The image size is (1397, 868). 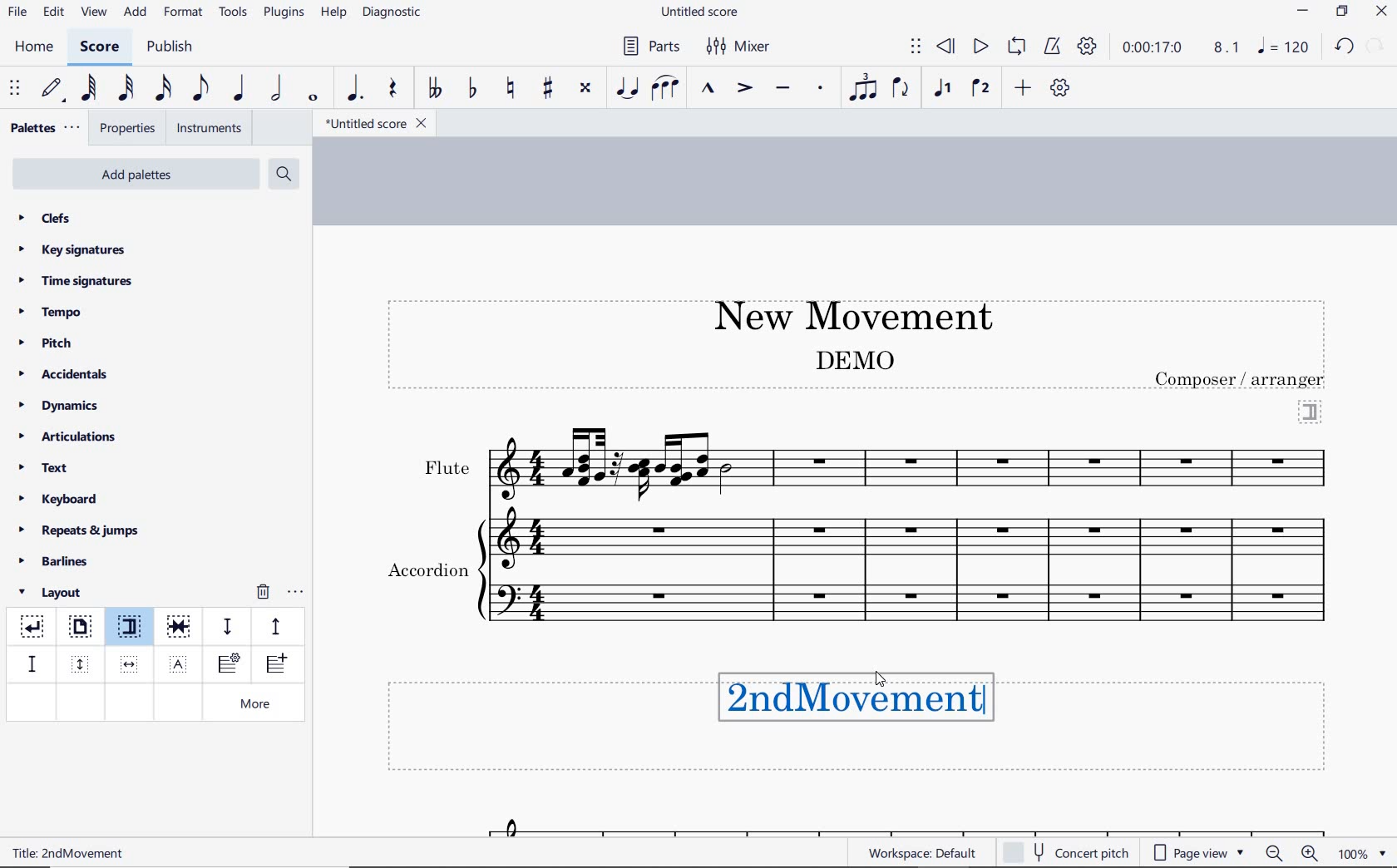 I want to click on playback time, so click(x=1153, y=47).